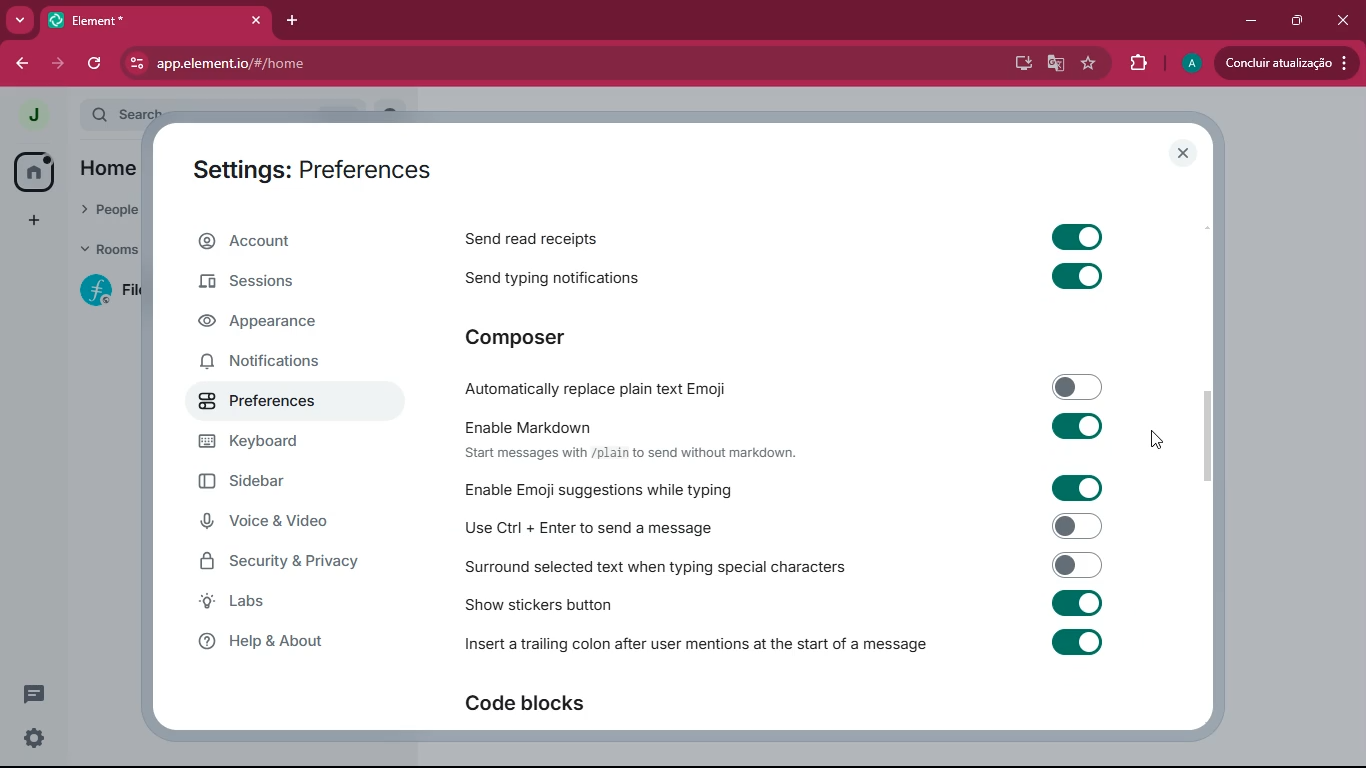 Image resolution: width=1366 pixels, height=768 pixels. What do you see at coordinates (308, 170) in the screenshot?
I see `Settings: Preferences` at bounding box center [308, 170].